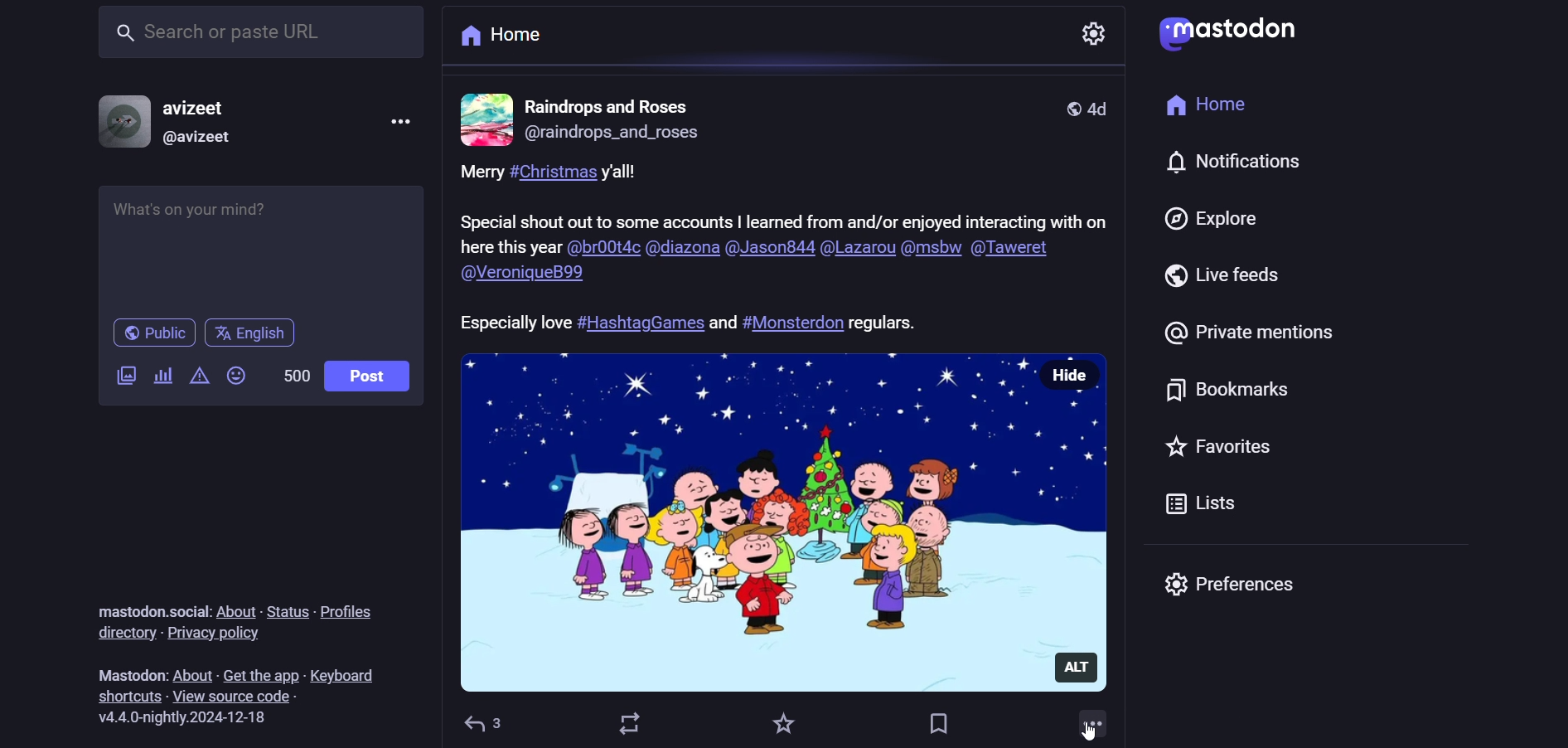 The width and height of the screenshot is (1568, 748). Describe the element at coordinates (1198, 106) in the screenshot. I see `home` at that location.